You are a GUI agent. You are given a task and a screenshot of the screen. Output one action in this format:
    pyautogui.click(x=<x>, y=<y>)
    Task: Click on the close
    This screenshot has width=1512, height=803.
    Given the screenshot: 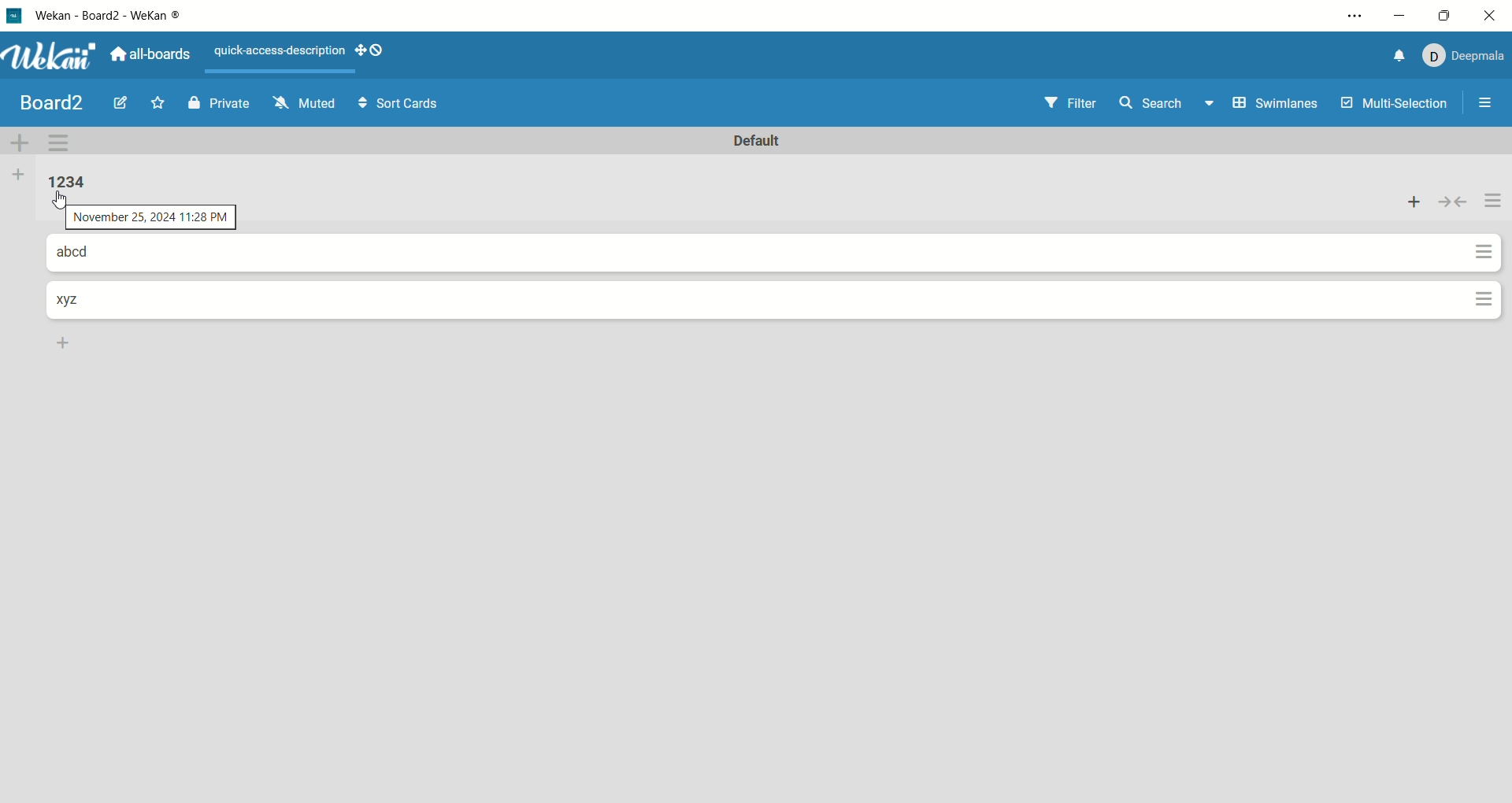 What is the action you would take?
    pyautogui.click(x=1492, y=16)
    